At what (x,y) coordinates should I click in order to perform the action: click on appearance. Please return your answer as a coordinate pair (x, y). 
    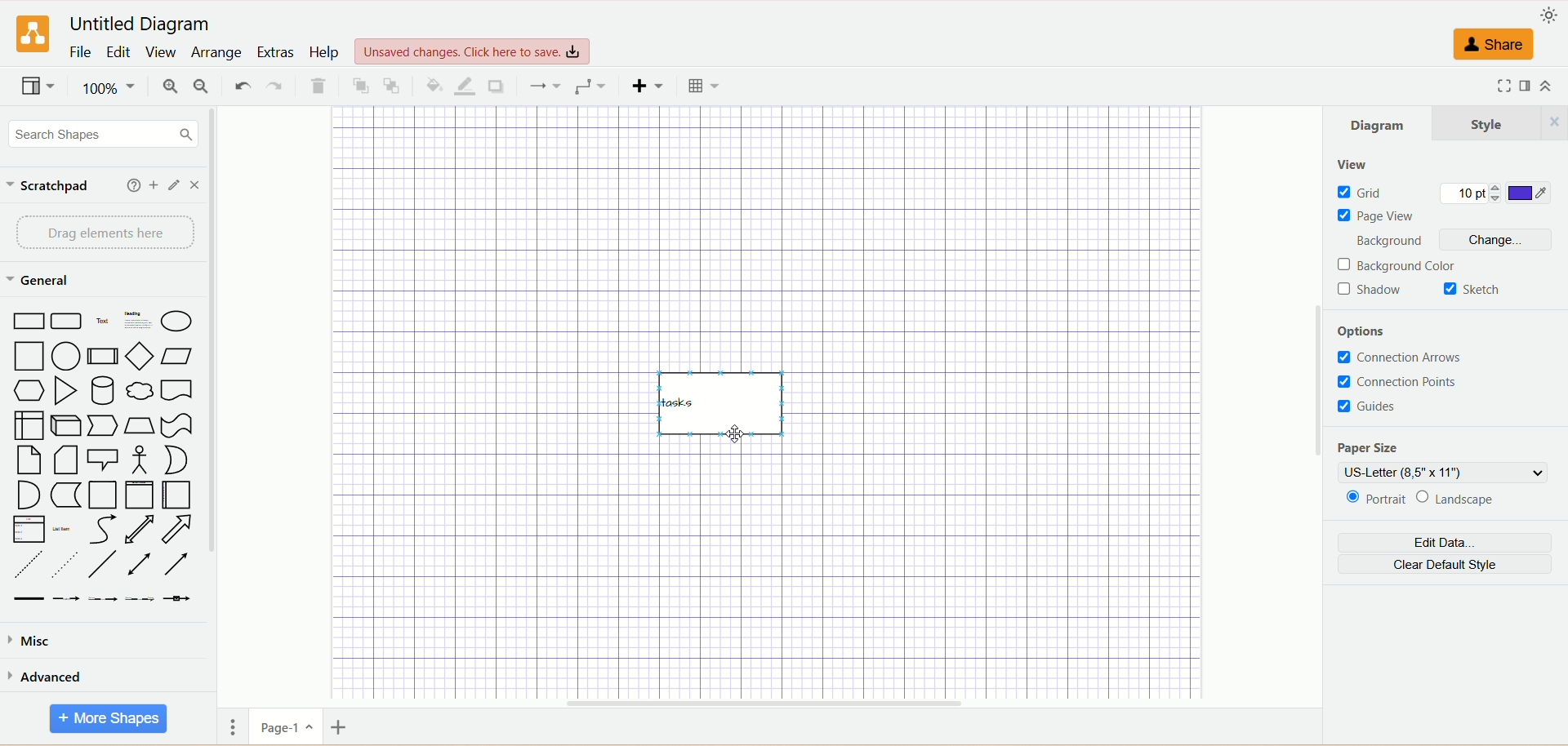
    Looking at the image, I should click on (1548, 16).